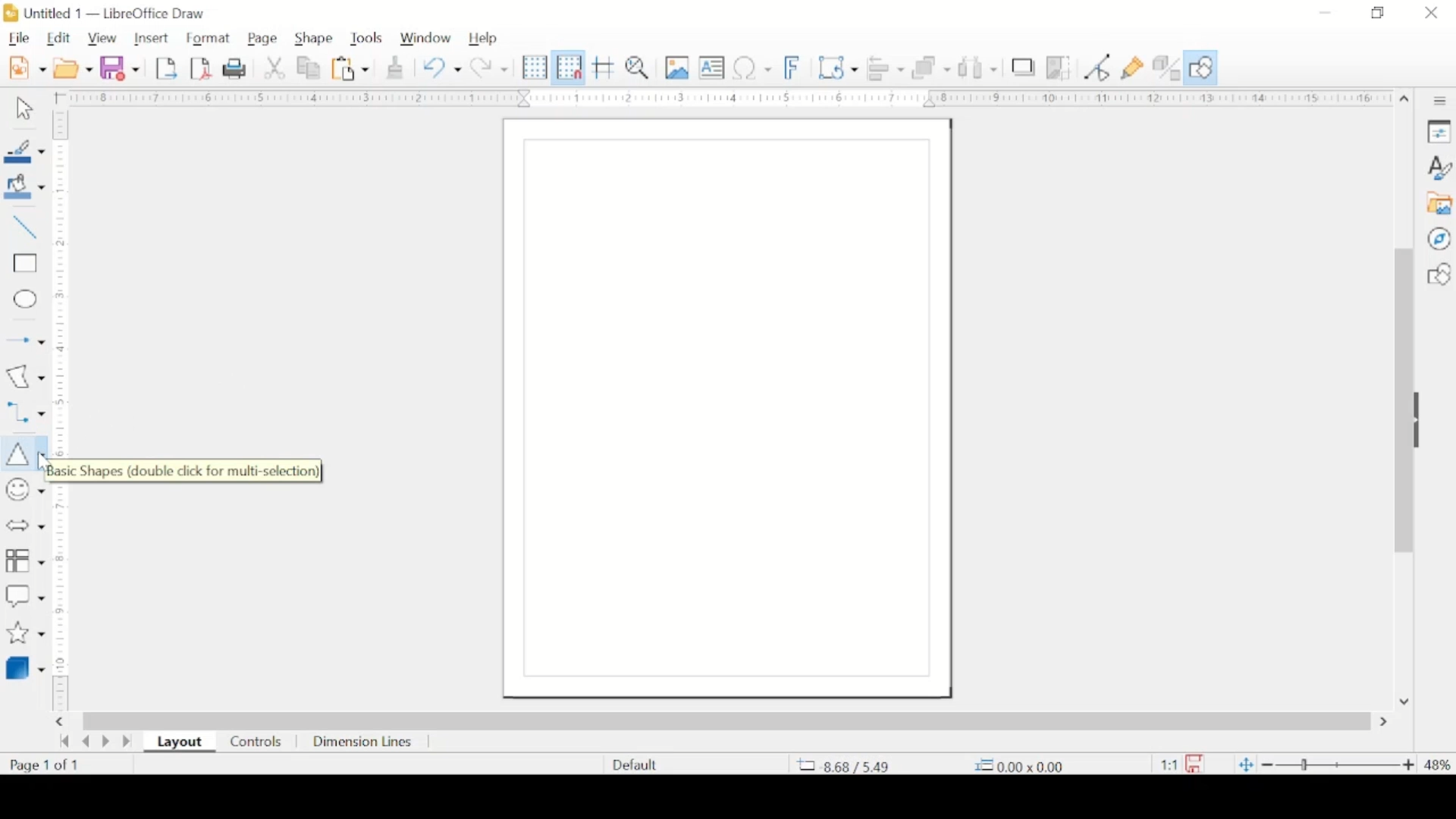  I want to click on scroll up , so click(1404, 99).